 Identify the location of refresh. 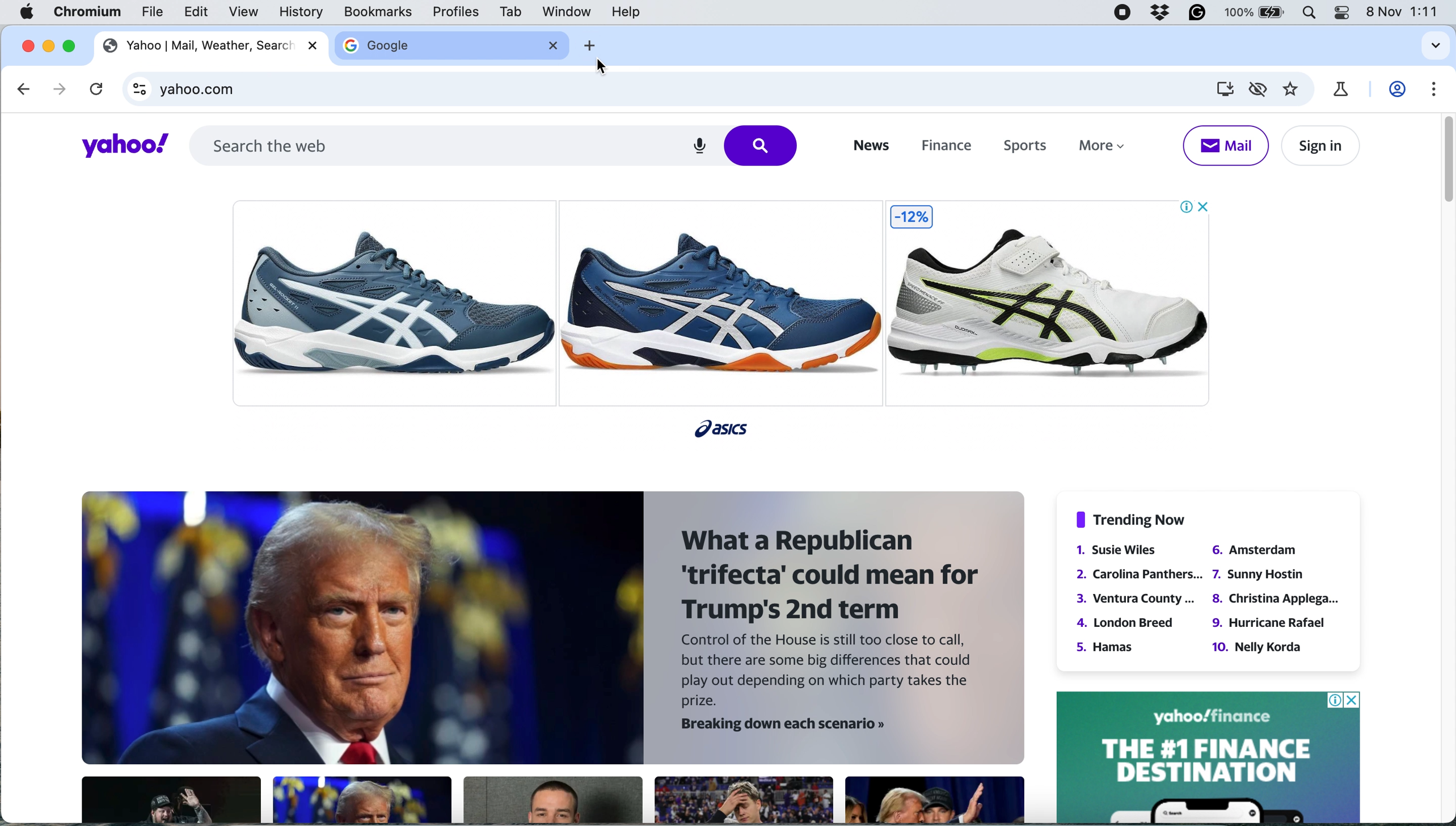
(94, 91).